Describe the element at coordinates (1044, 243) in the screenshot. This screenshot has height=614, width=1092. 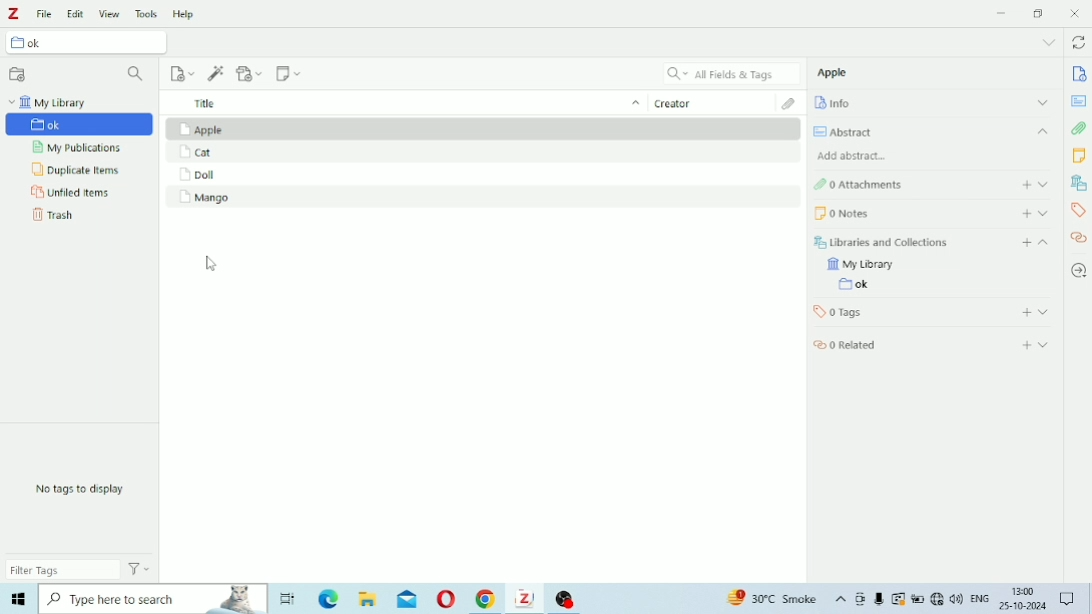
I see `Collapse section` at that location.